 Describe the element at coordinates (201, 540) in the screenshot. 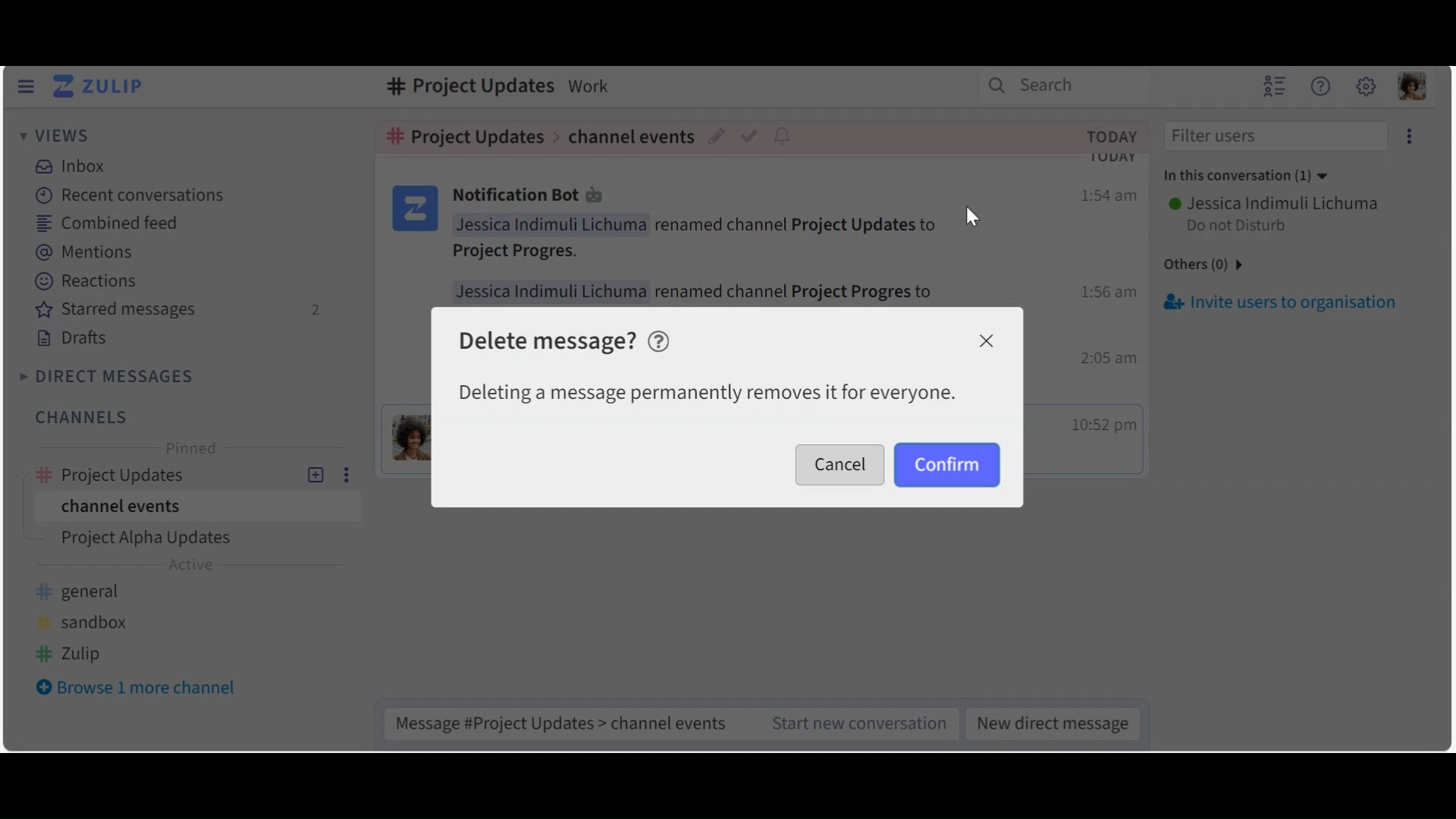

I see `Topic` at that location.